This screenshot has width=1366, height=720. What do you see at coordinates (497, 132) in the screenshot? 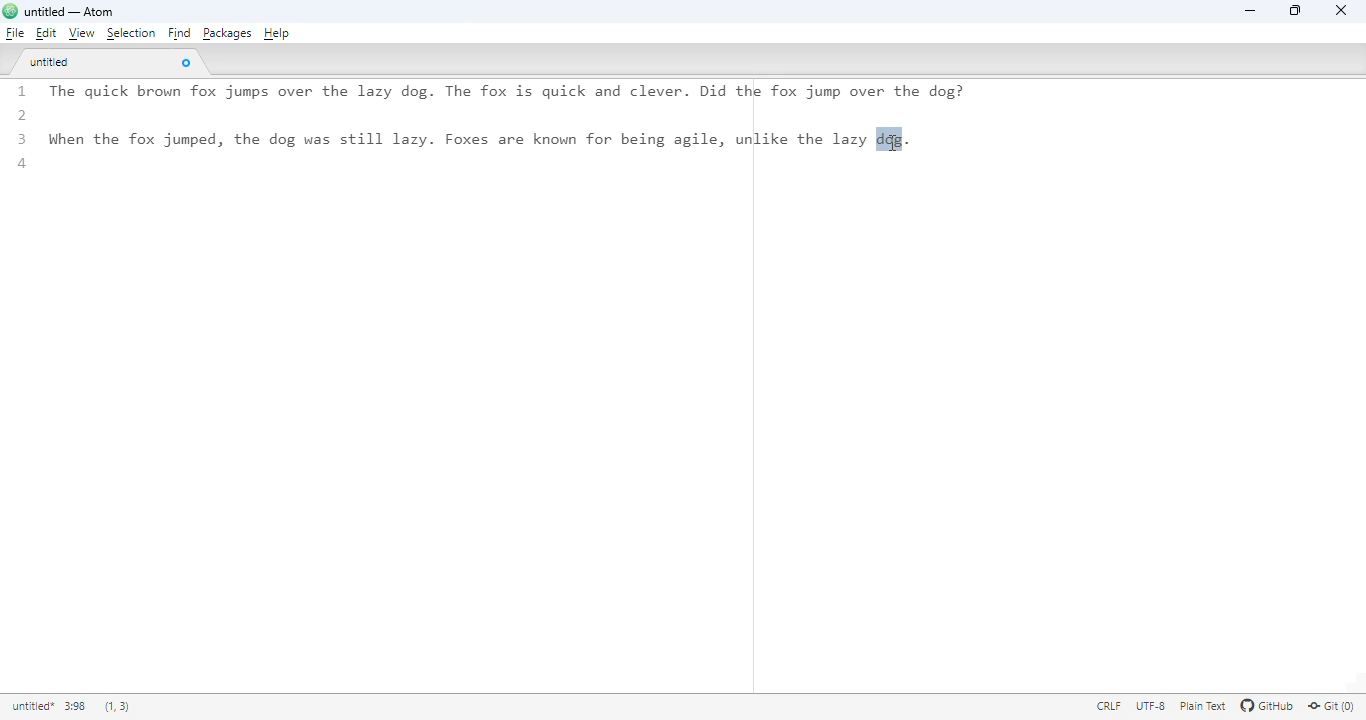
I see `1 The quick brown Tox jumps over the lazy dog. lhe fox 1s quick and clever. Did the Tox jump over the dog:
2
3 When the fox jumped, the dog was still lazy. Foxes are known for being agile, unlike the lazy dqg.
4` at bounding box center [497, 132].